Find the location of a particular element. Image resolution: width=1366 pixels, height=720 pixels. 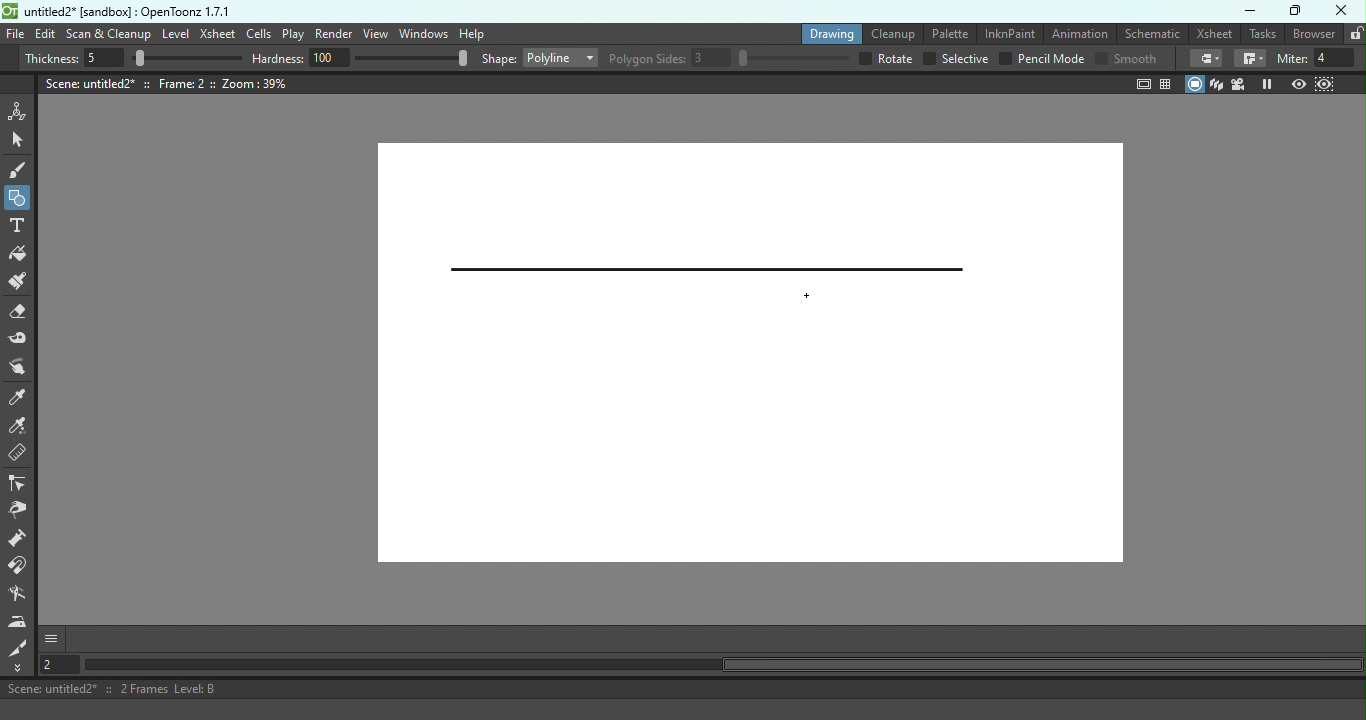

Play is located at coordinates (293, 34).